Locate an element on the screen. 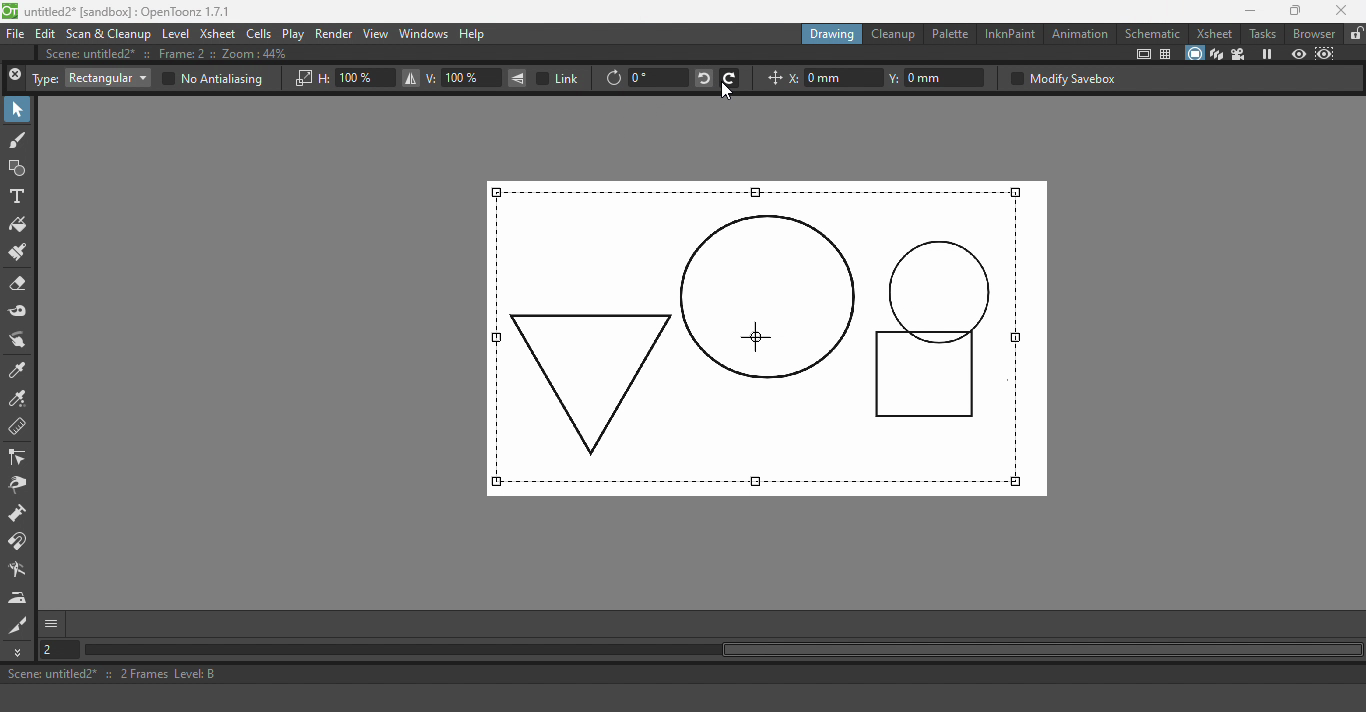 This screenshot has width=1366, height=712. Xsheet is located at coordinates (1213, 33).